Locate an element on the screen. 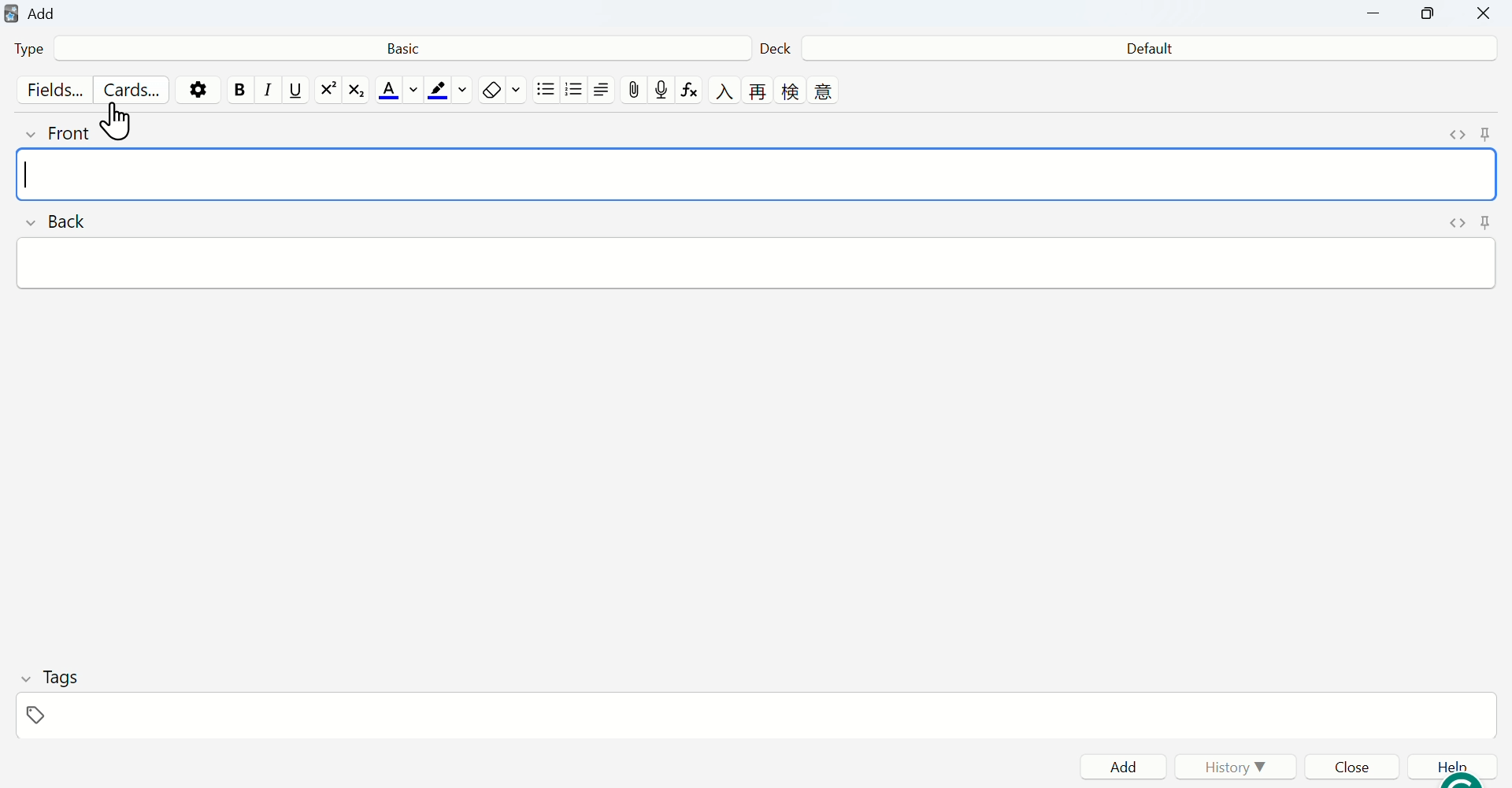  toggle sticky is located at coordinates (1485, 134).